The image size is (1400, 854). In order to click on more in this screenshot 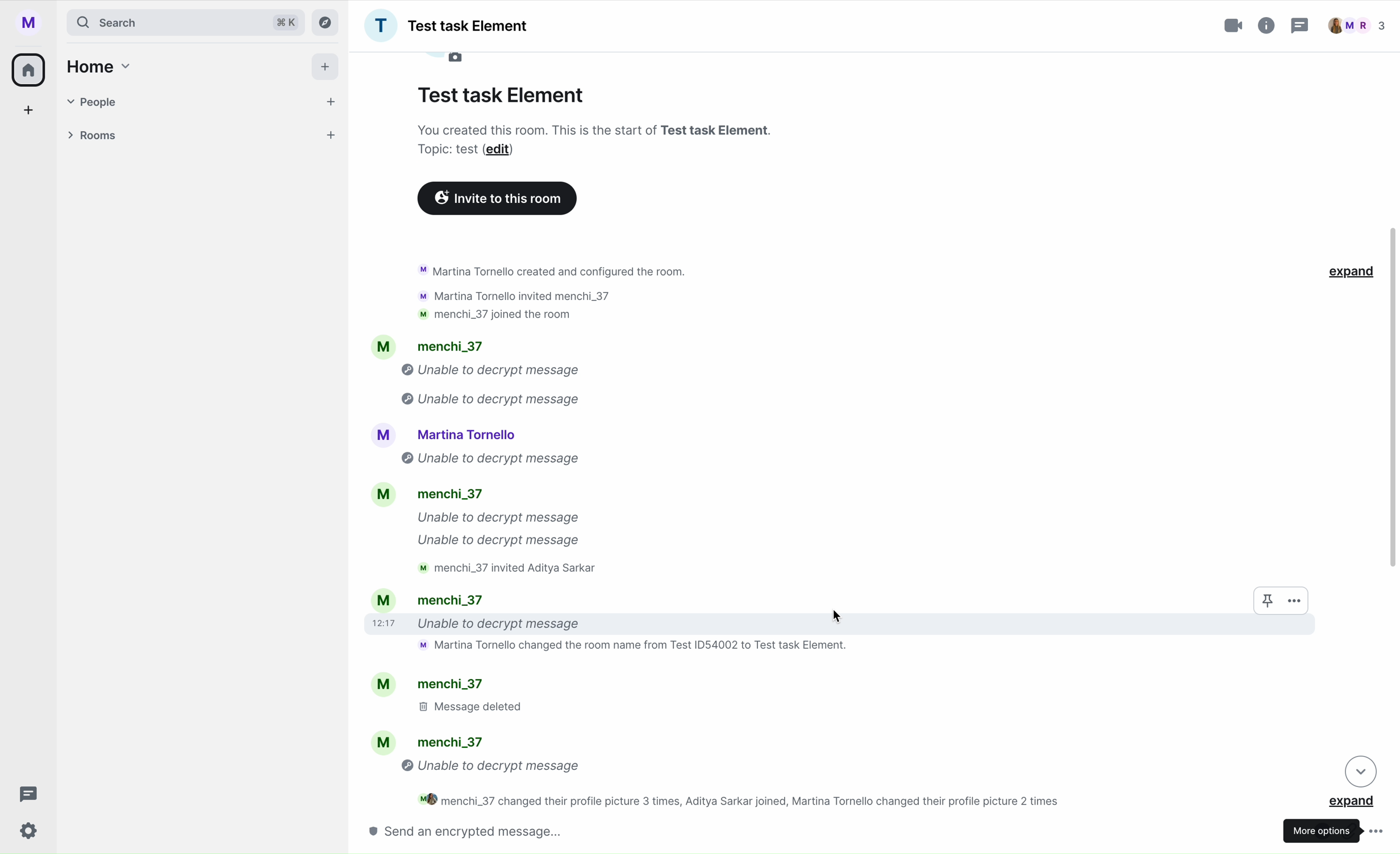, I will do `click(1296, 600)`.